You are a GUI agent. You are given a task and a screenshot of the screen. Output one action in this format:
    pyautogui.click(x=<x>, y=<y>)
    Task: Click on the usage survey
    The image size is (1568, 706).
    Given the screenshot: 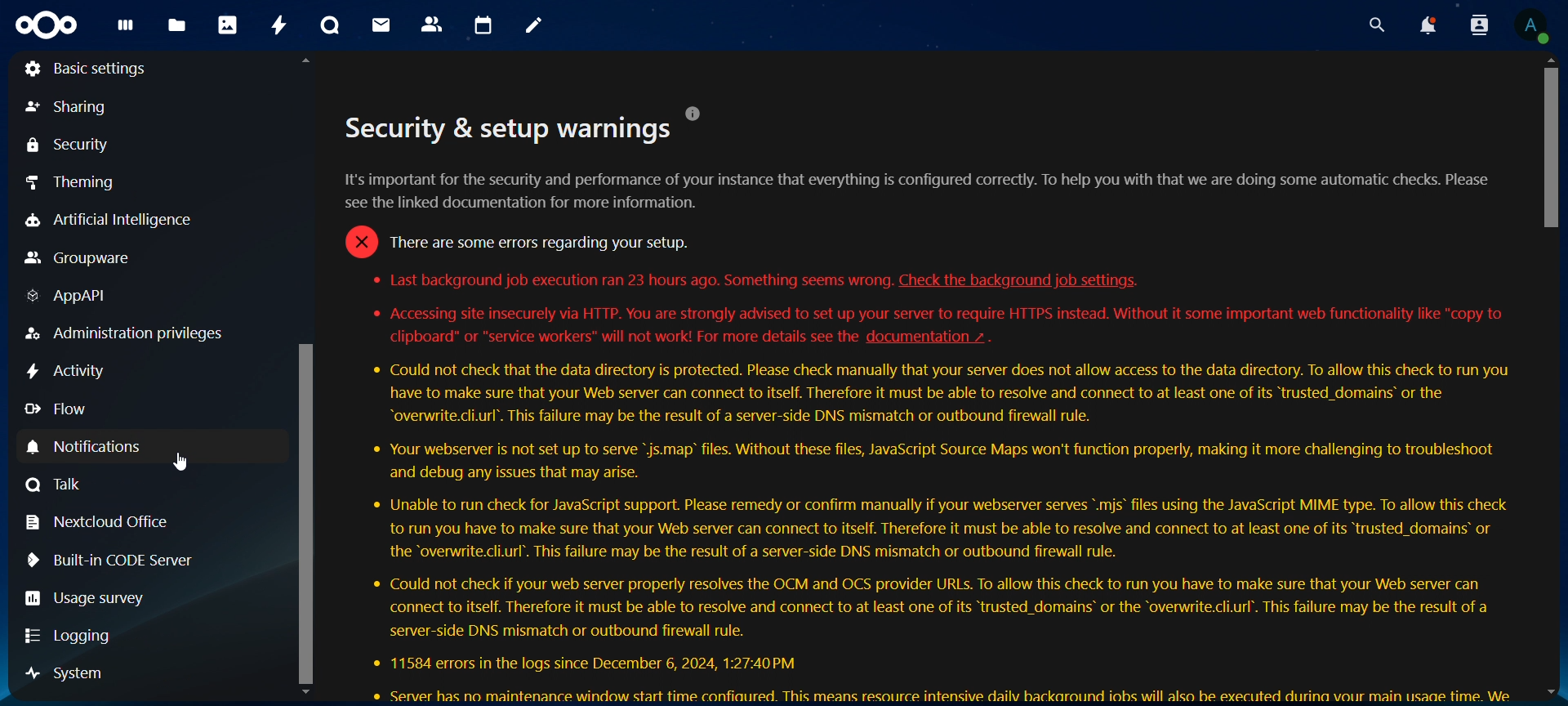 What is the action you would take?
    pyautogui.click(x=87, y=599)
    